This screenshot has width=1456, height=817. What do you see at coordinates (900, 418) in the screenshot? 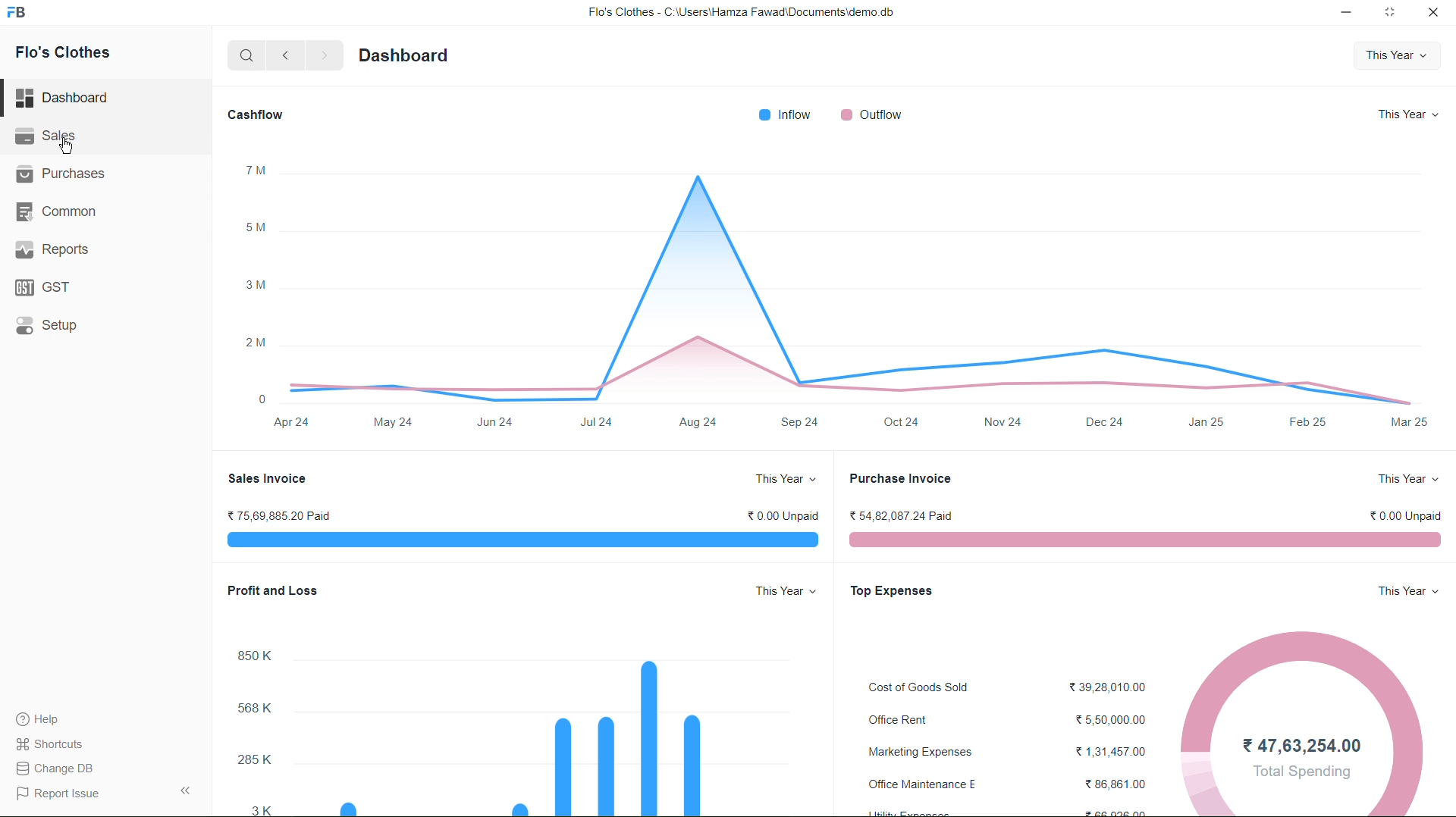
I see `Oct 24` at bounding box center [900, 418].